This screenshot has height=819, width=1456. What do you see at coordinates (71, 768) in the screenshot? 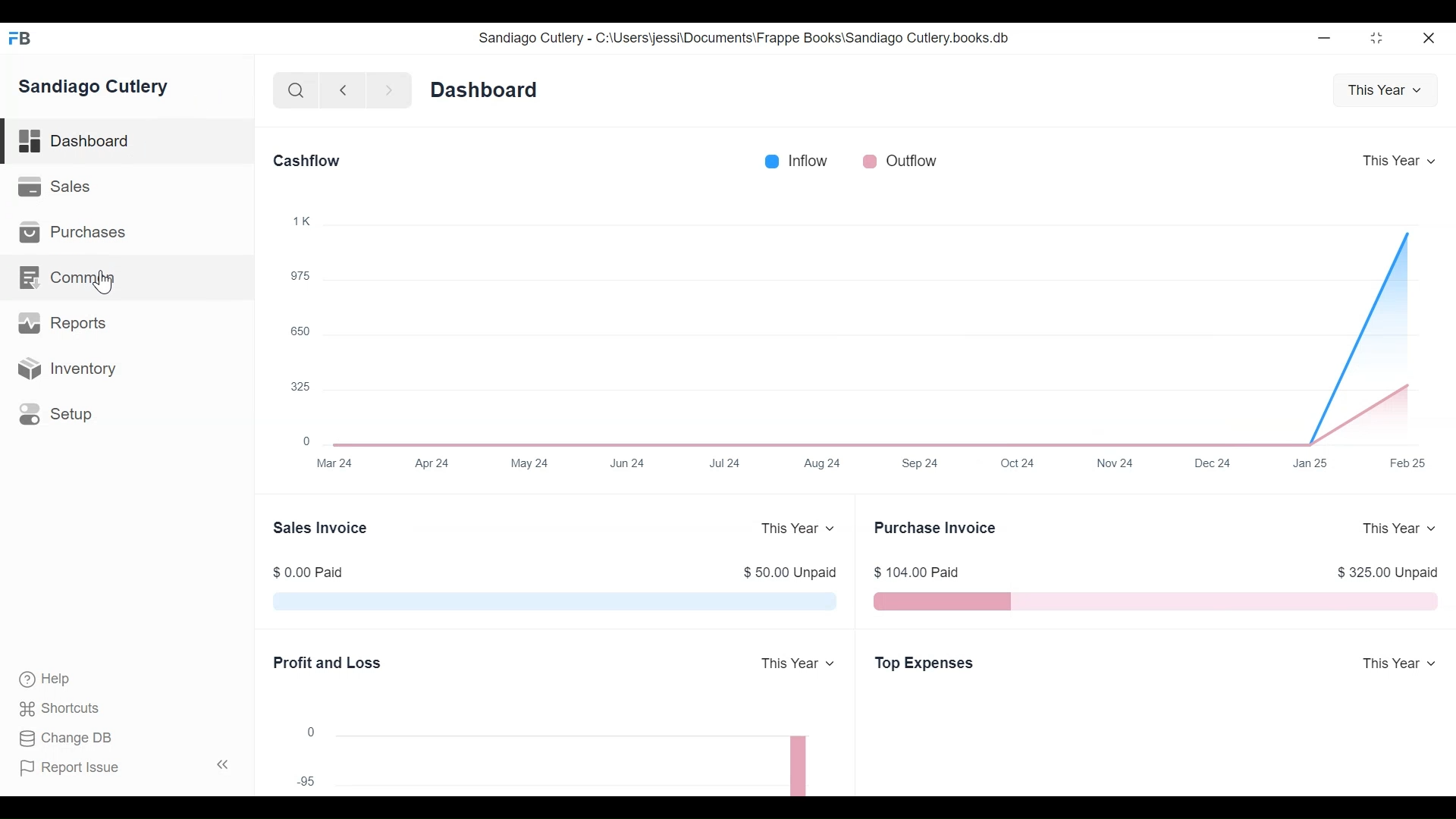
I see `Report Issue` at bounding box center [71, 768].